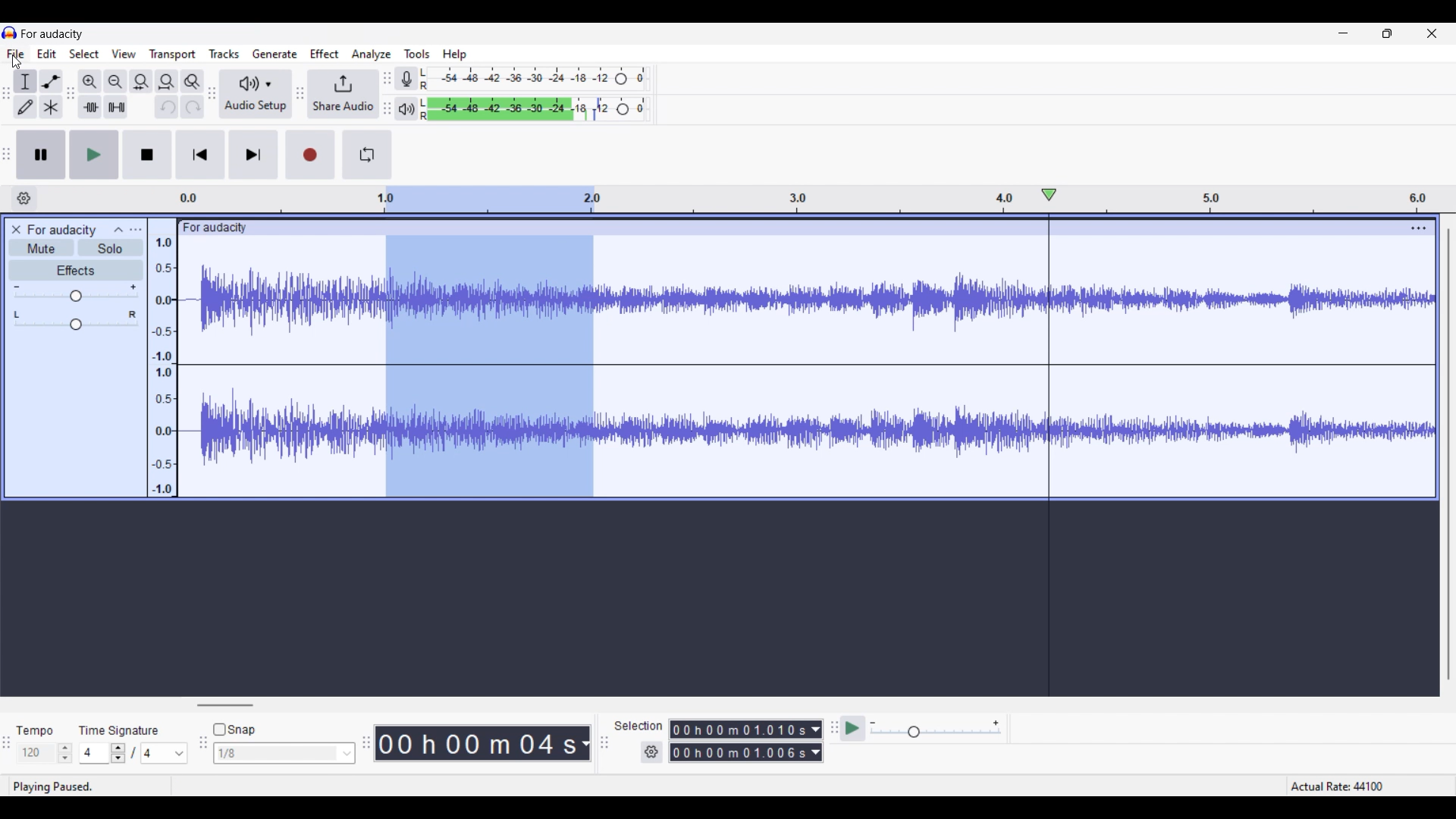 The height and width of the screenshot is (819, 1456). I want to click on Minimize, so click(1344, 33).